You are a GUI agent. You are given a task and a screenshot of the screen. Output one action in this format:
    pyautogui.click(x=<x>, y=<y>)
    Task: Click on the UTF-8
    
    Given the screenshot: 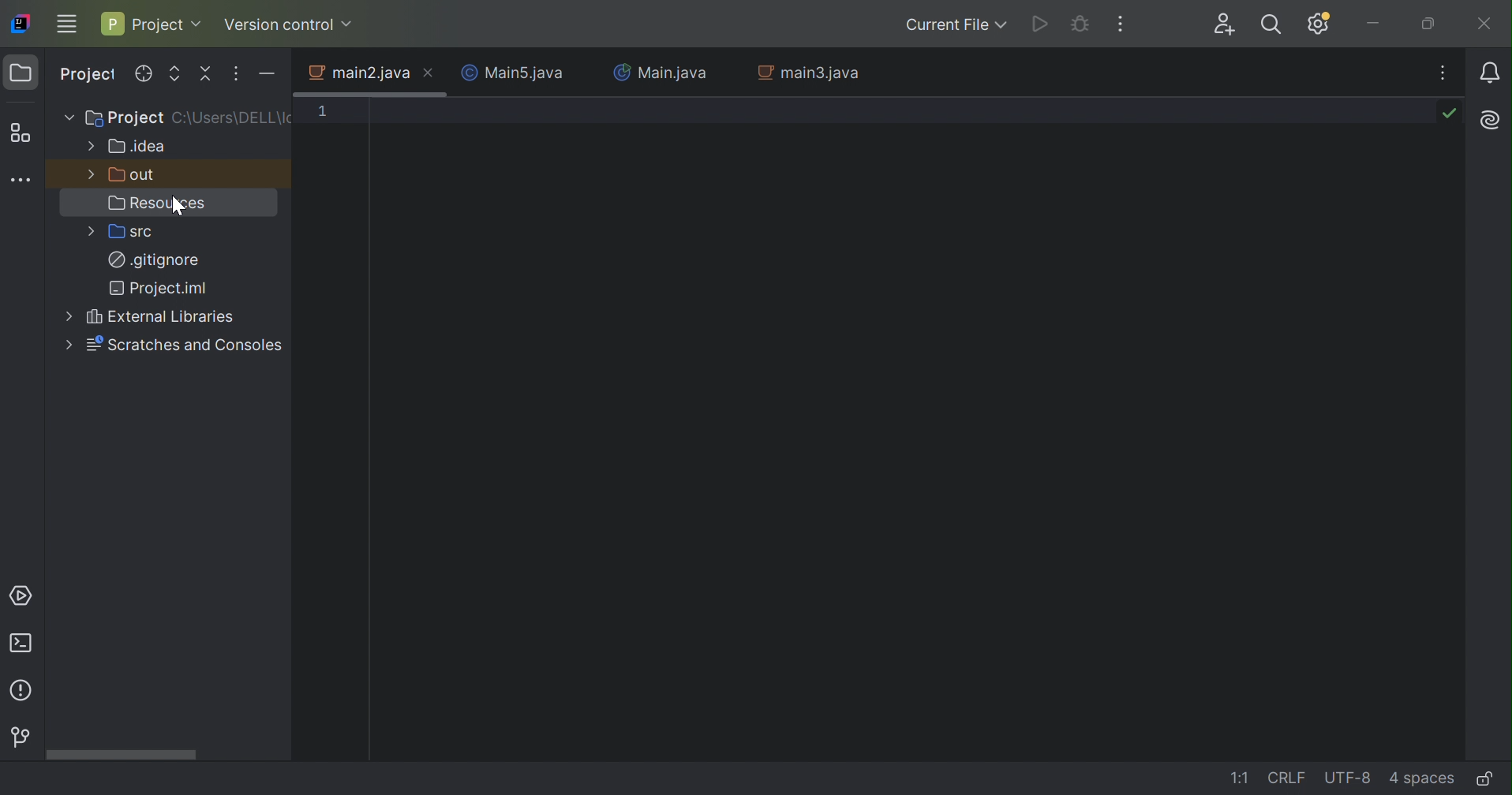 What is the action you would take?
    pyautogui.click(x=1348, y=778)
    